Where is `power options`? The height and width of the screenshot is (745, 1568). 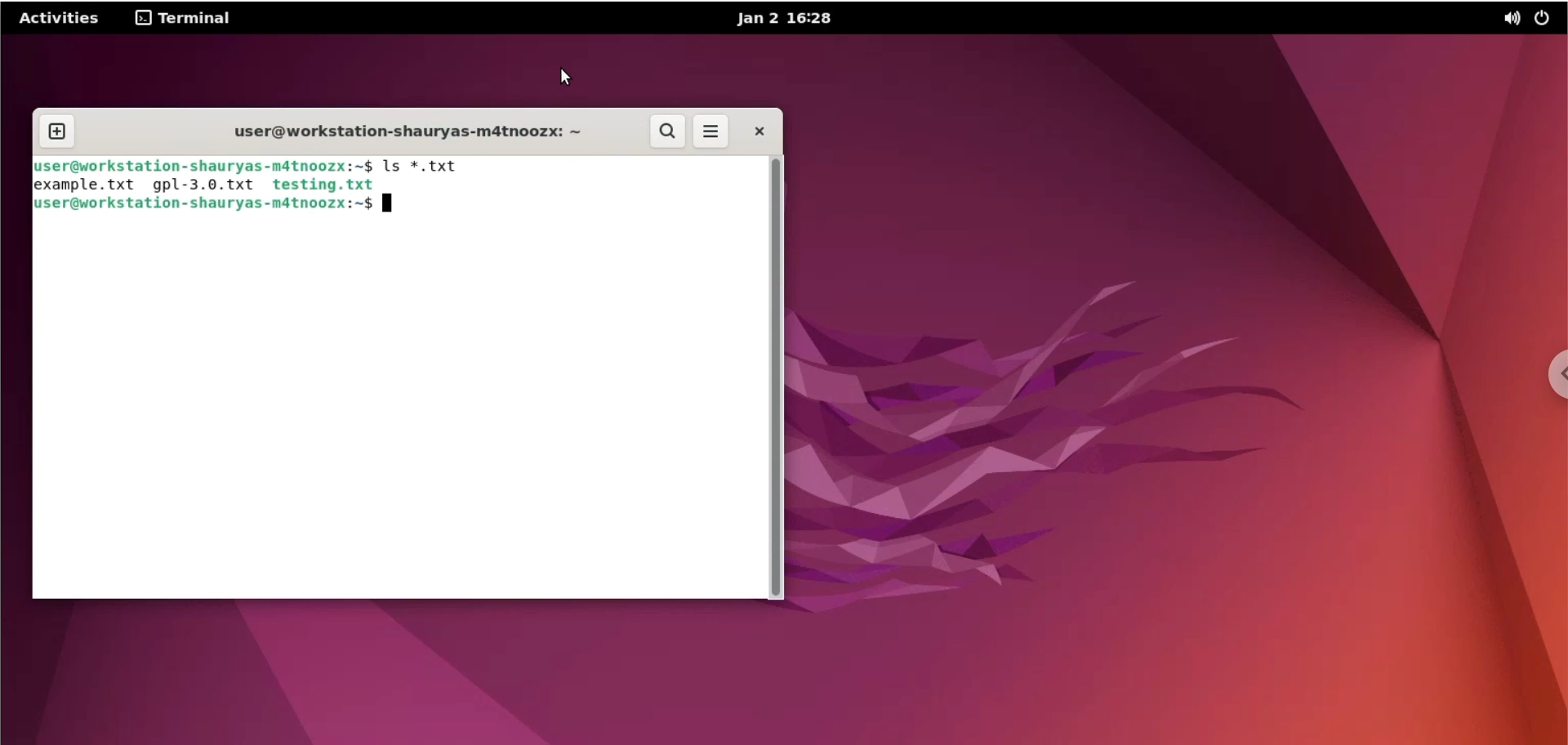 power options is located at coordinates (1546, 19).